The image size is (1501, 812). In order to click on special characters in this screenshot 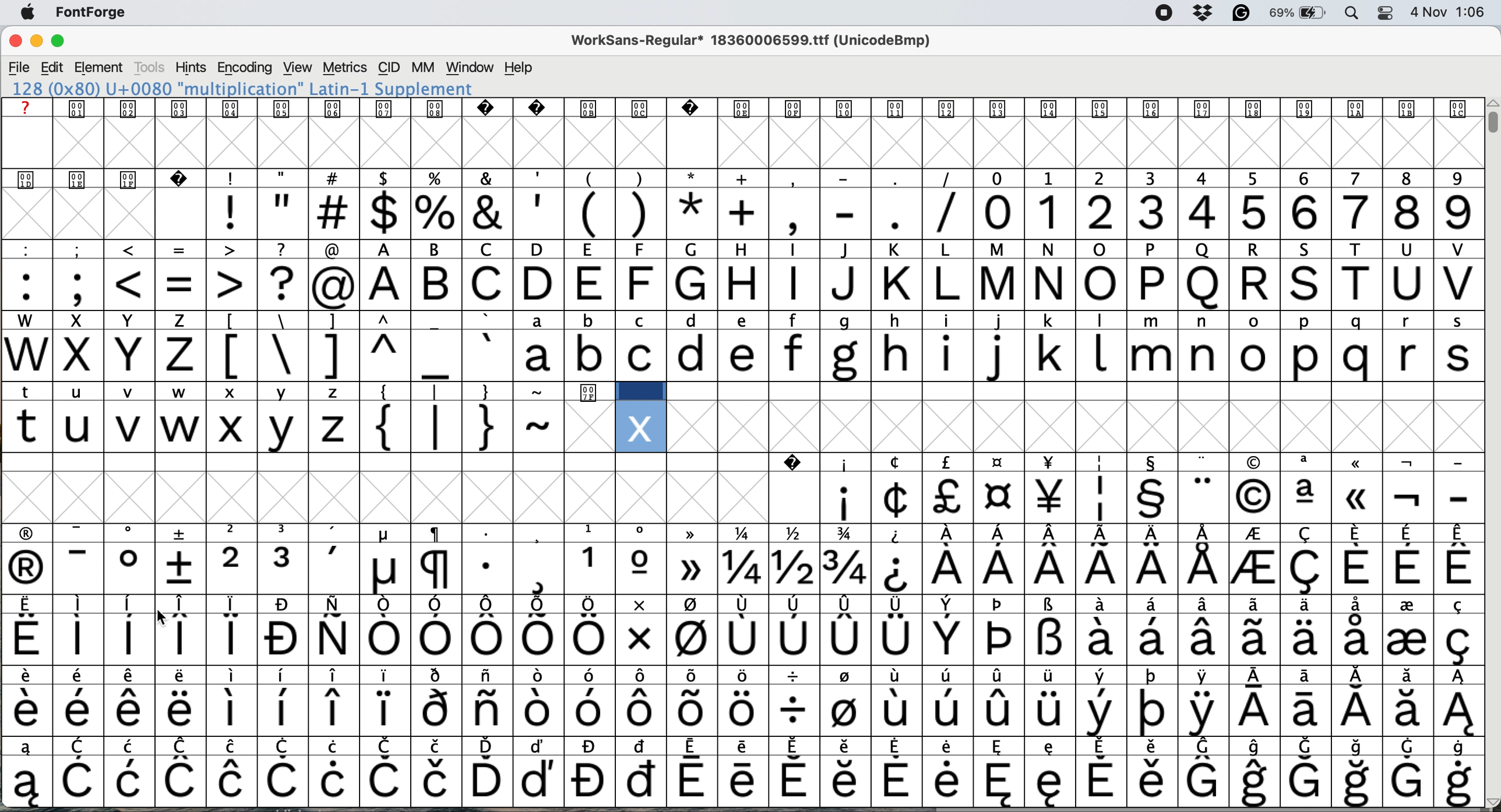, I will do `click(742, 676)`.